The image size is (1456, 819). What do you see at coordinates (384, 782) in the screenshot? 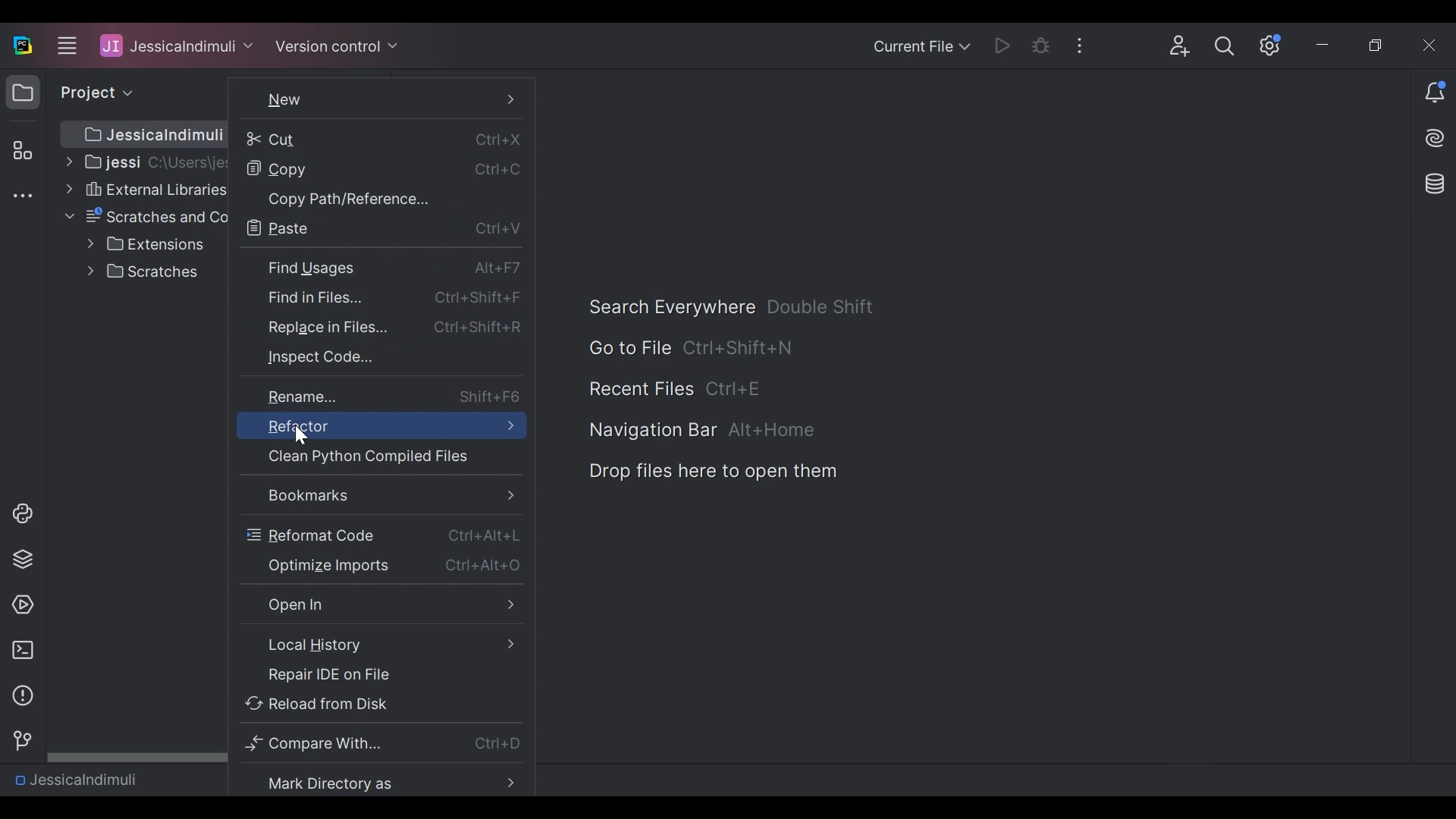
I see `Mark Directory as` at bounding box center [384, 782].